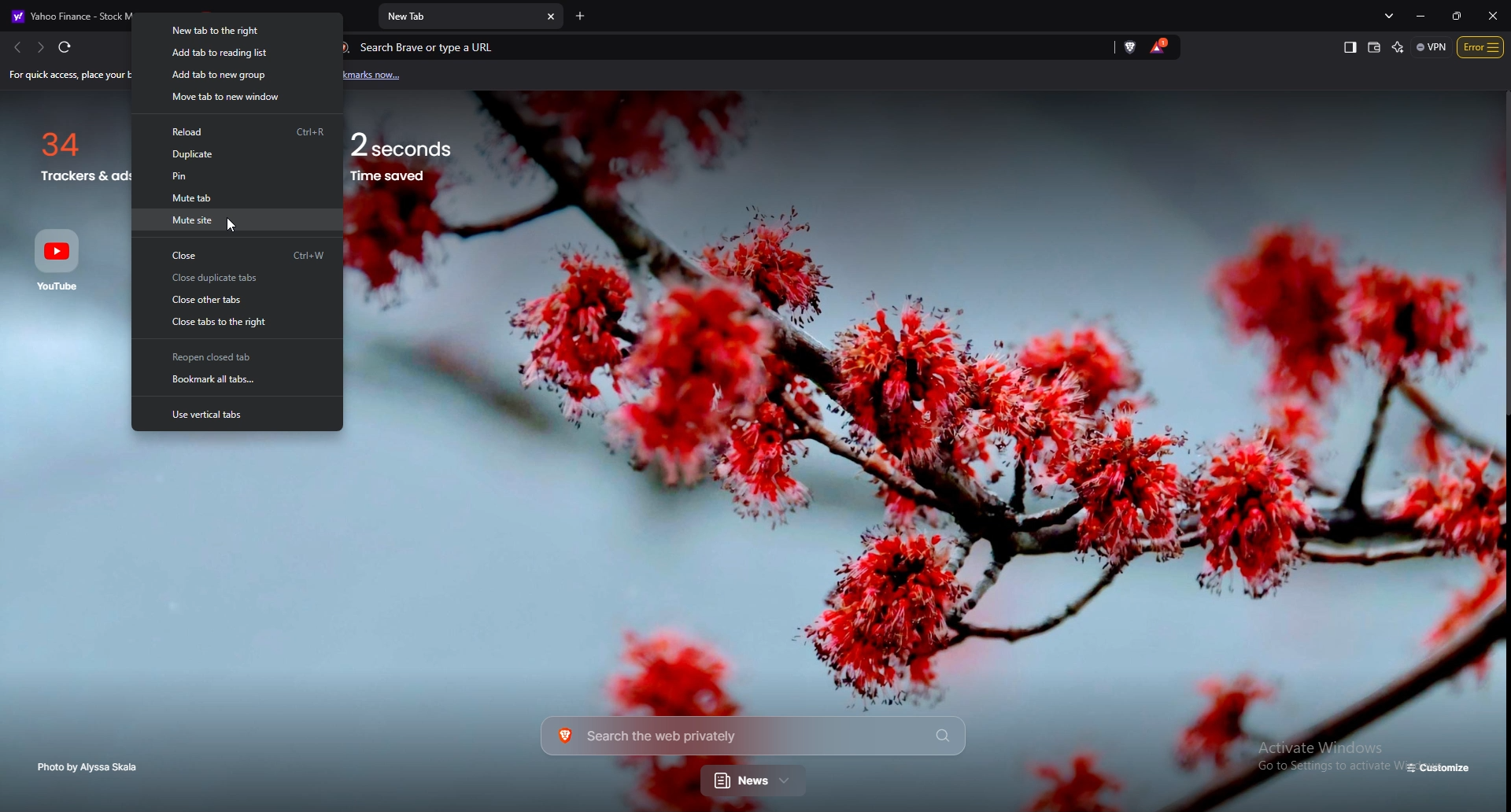  What do you see at coordinates (1455, 15) in the screenshot?
I see `resize` at bounding box center [1455, 15].